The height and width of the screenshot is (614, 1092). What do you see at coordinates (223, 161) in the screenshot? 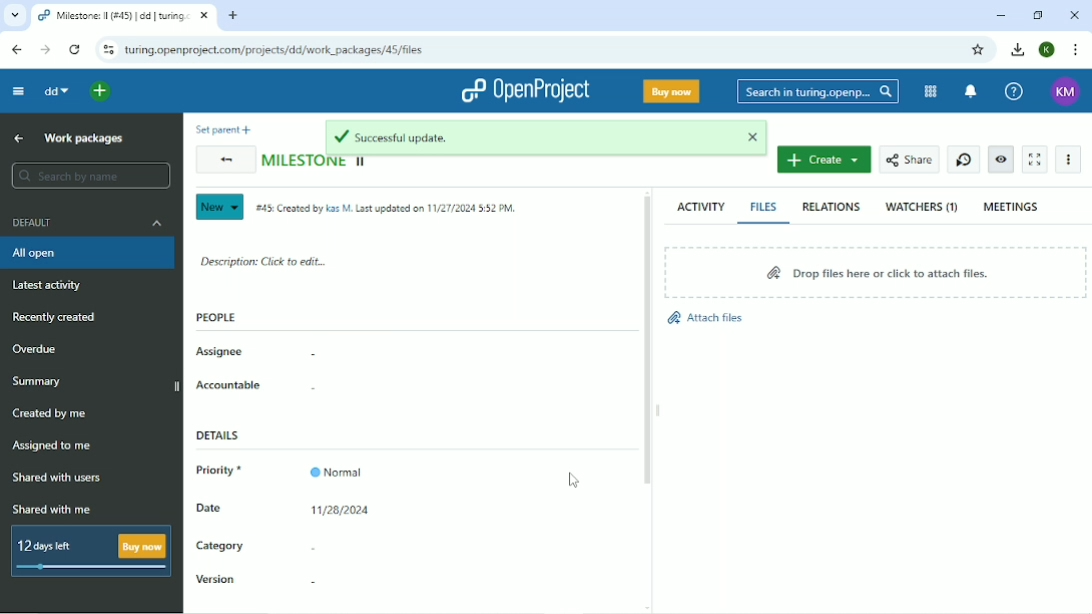
I see `Back` at bounding box center [223, 161].